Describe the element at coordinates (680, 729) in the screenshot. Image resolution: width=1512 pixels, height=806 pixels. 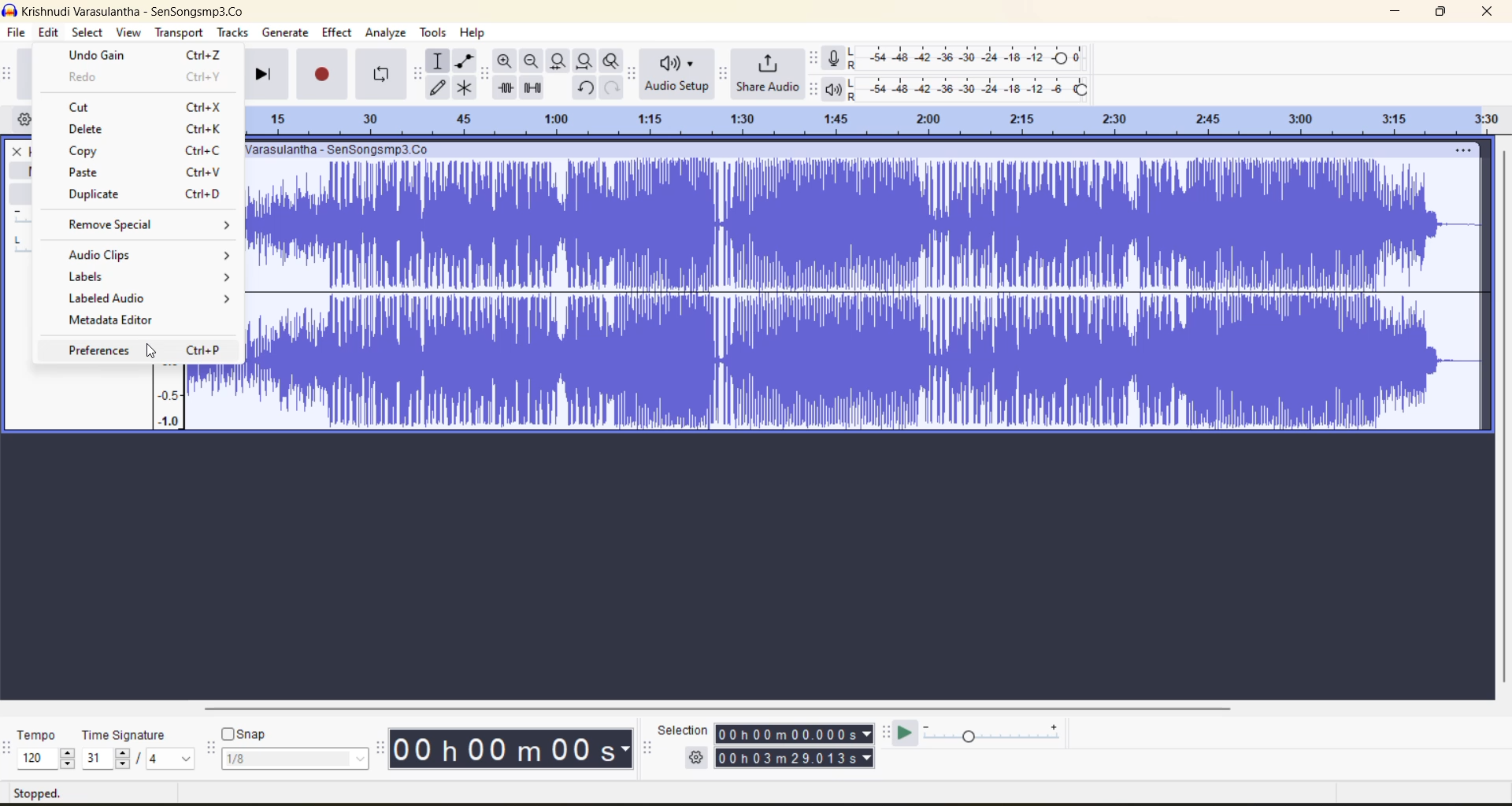
I see `selection` at that location.